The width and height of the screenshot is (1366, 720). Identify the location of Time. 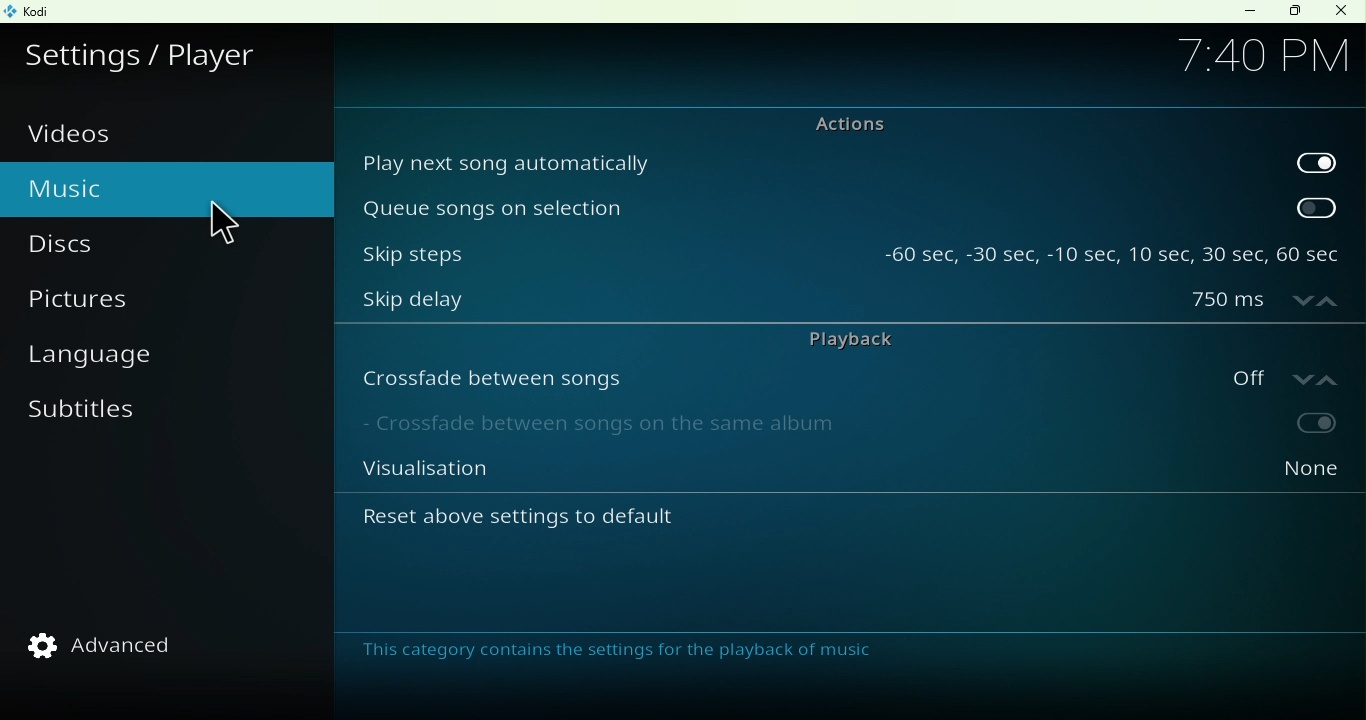
(1262, 53).